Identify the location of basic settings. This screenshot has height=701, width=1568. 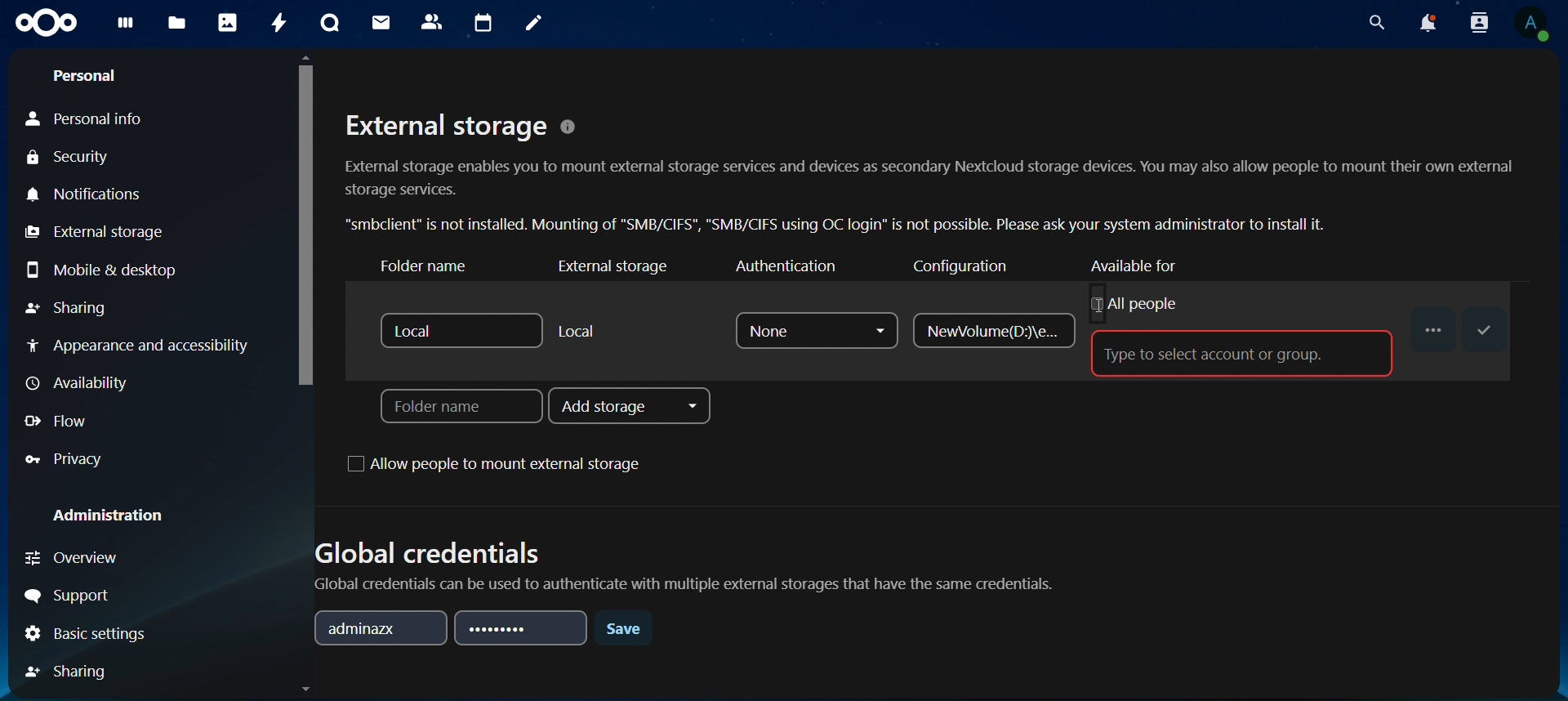
(88, 633).